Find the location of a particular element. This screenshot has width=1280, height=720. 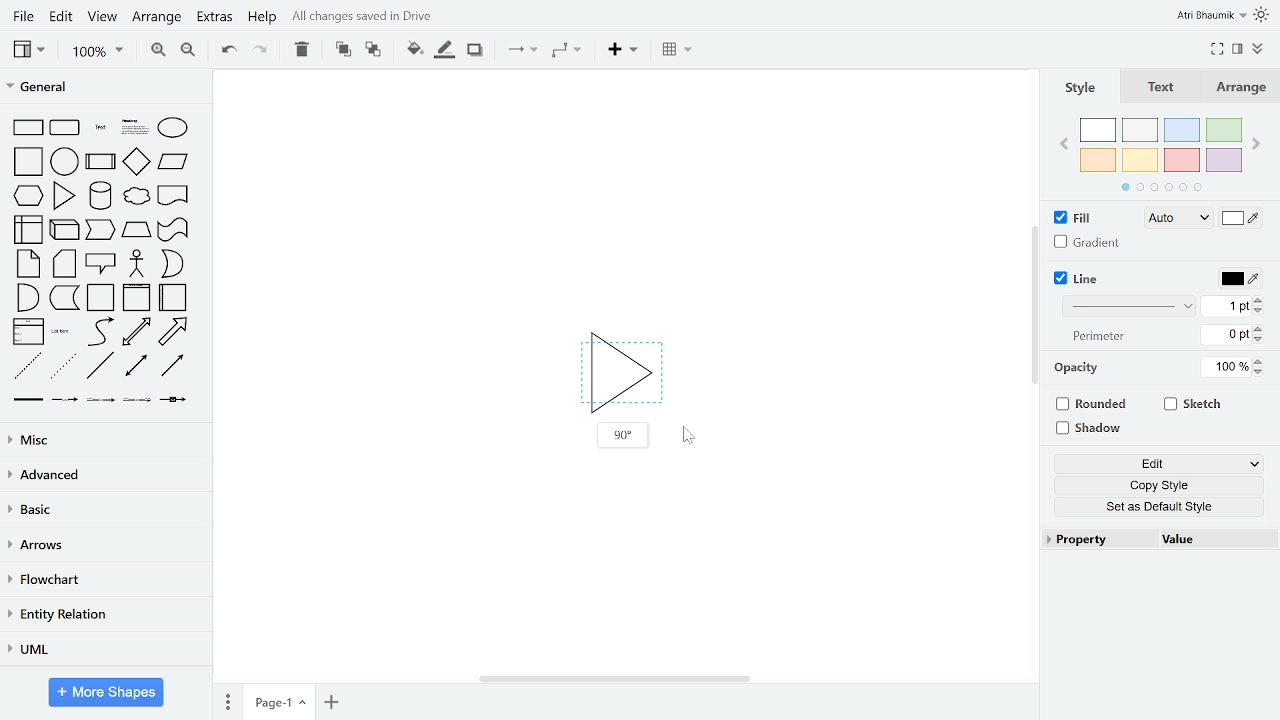

full screen is located at coordinates (1218, 47).